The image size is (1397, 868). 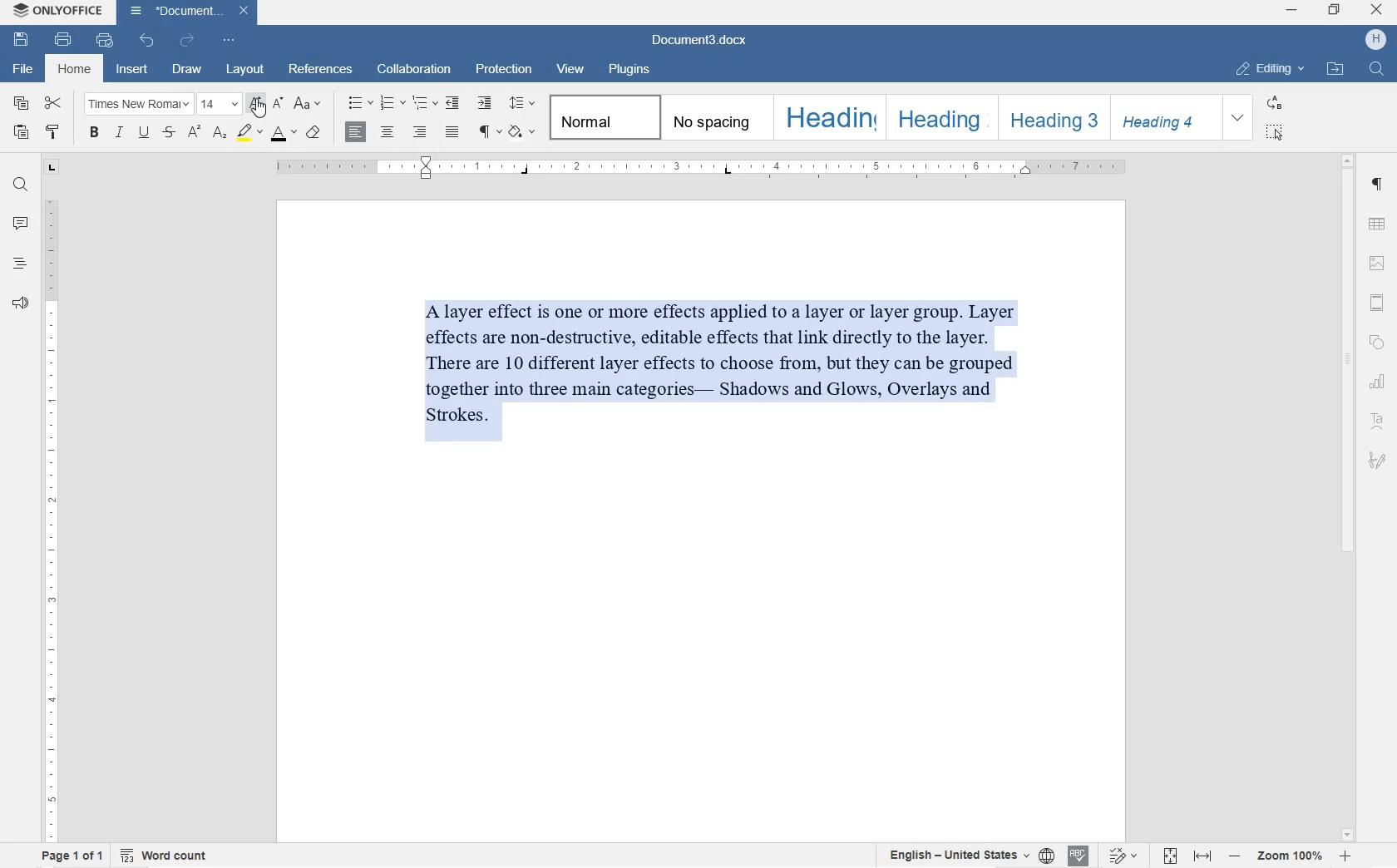 I want to click on quick print, so click(x=106, y=41).